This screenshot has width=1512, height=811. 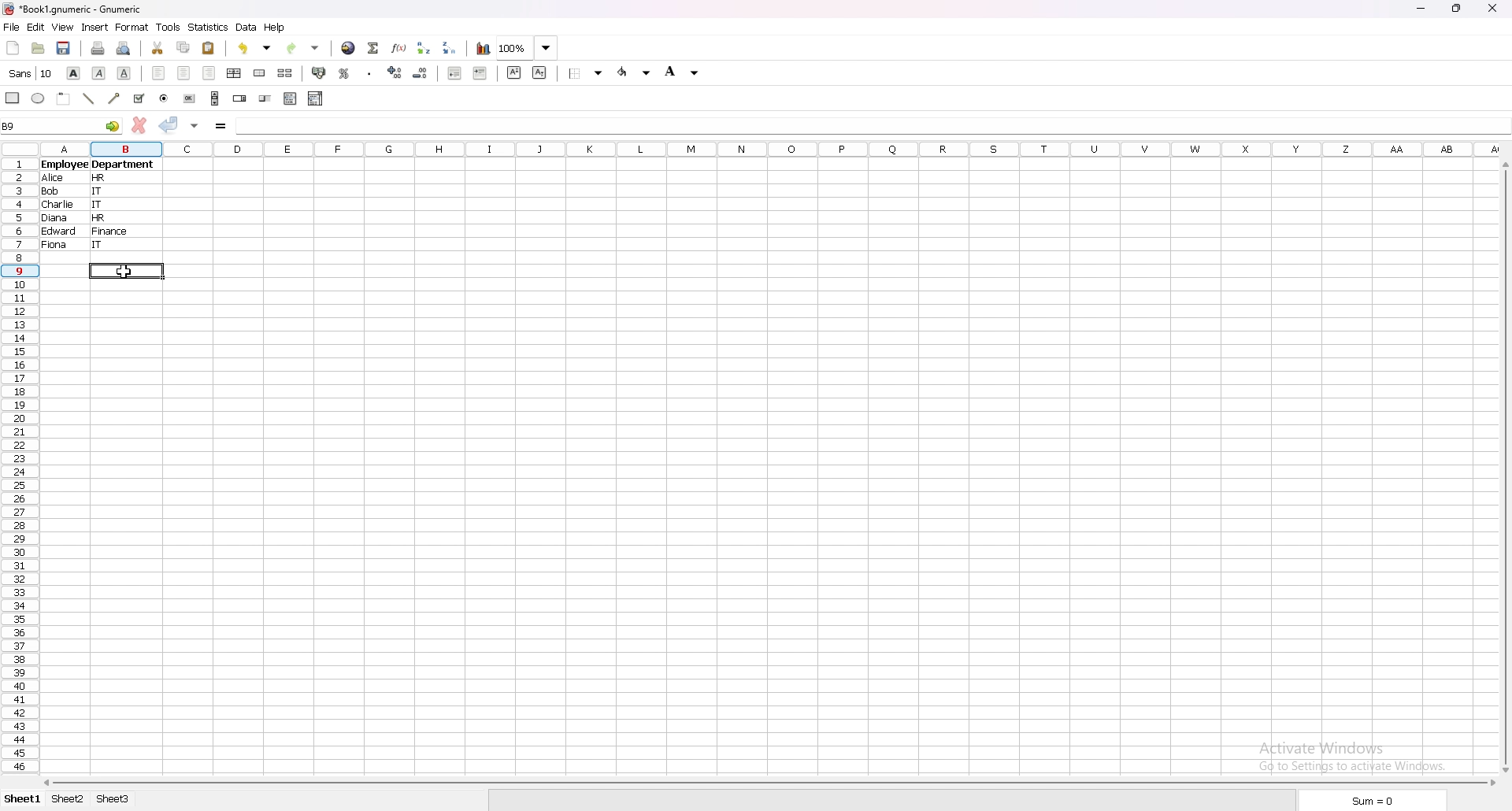 I want to click on save, so click(x=65, y=47).